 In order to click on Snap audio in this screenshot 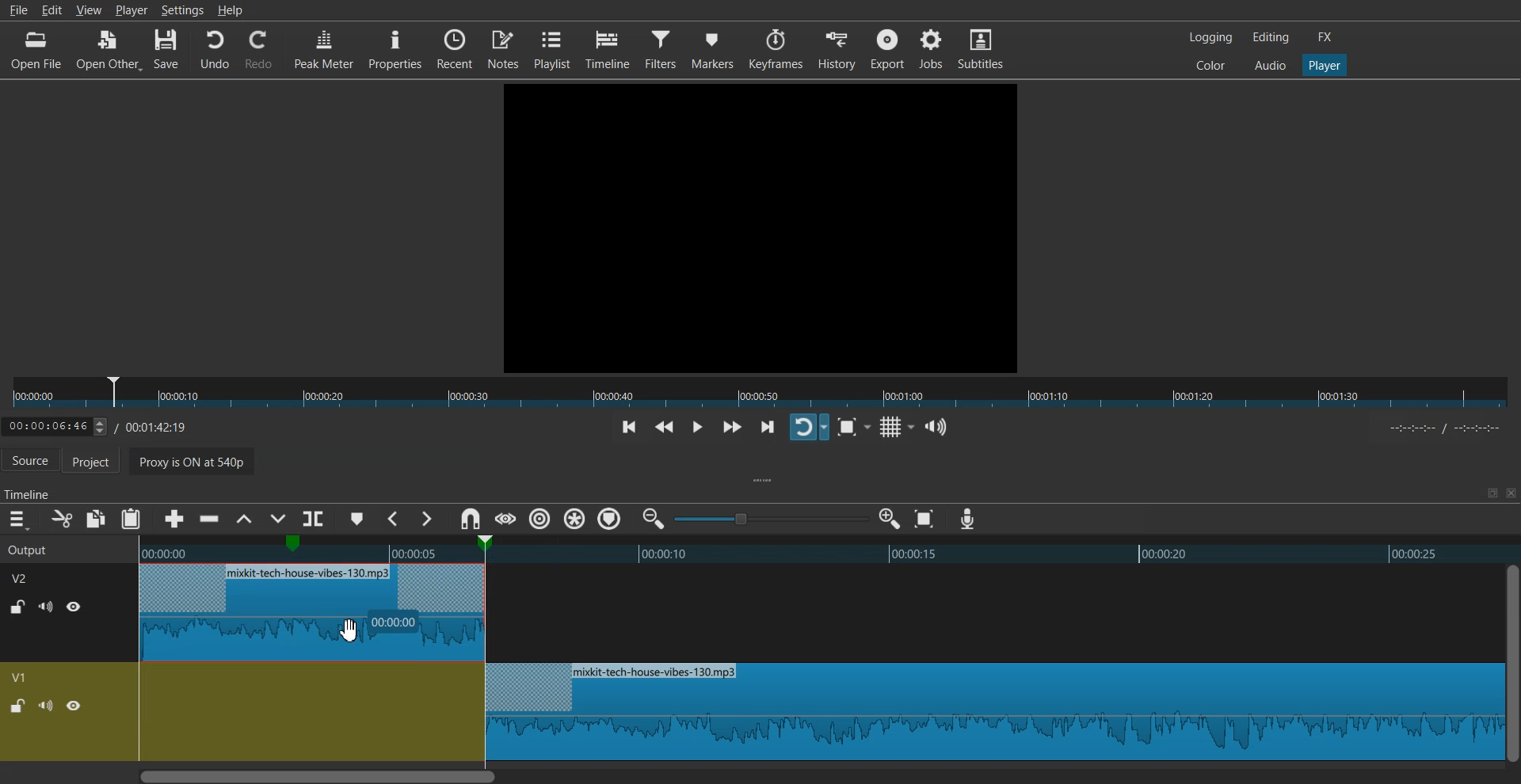, I will do `click(310, 614)`.